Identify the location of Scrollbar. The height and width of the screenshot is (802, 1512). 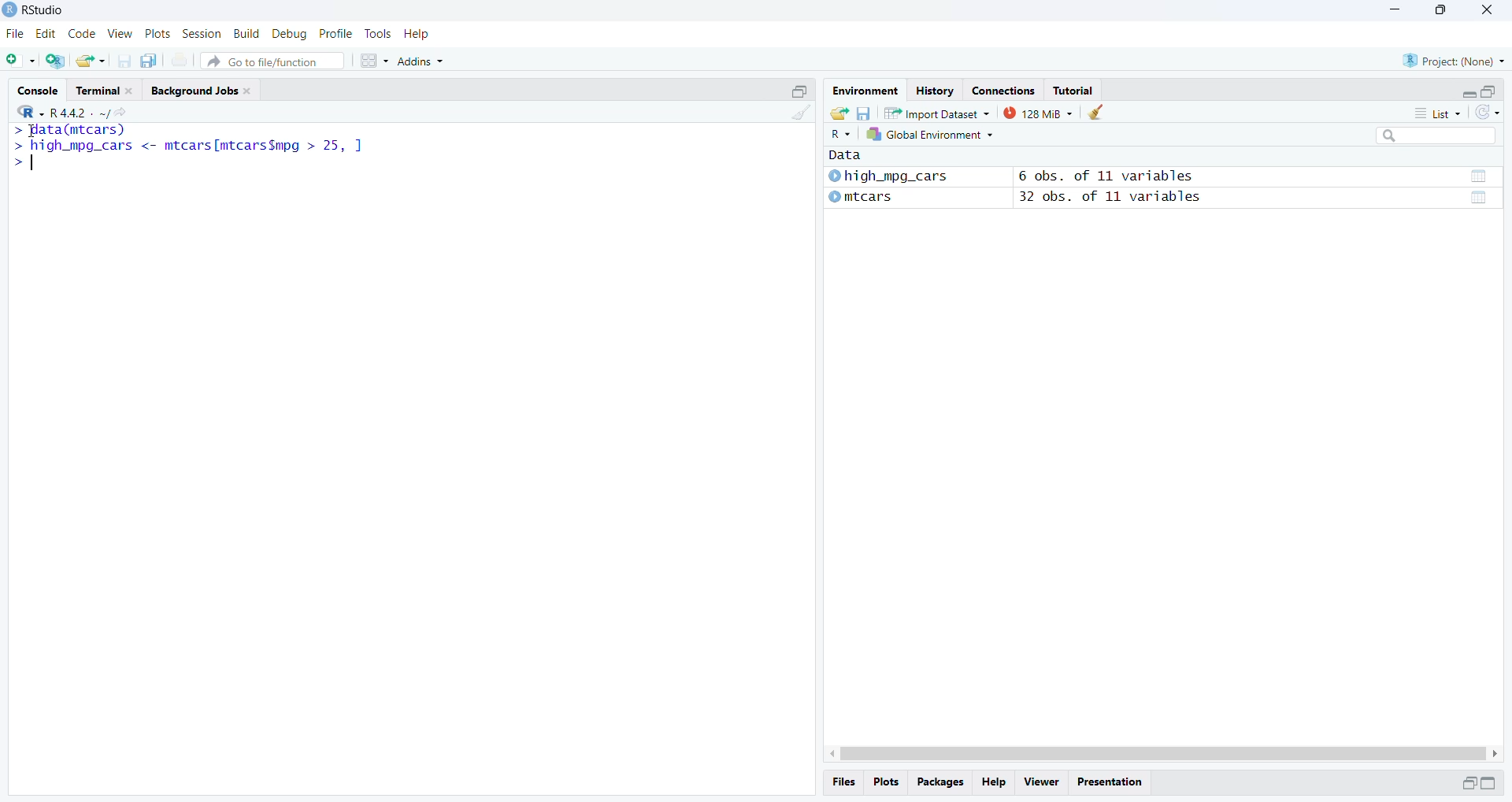
(1163, 754).